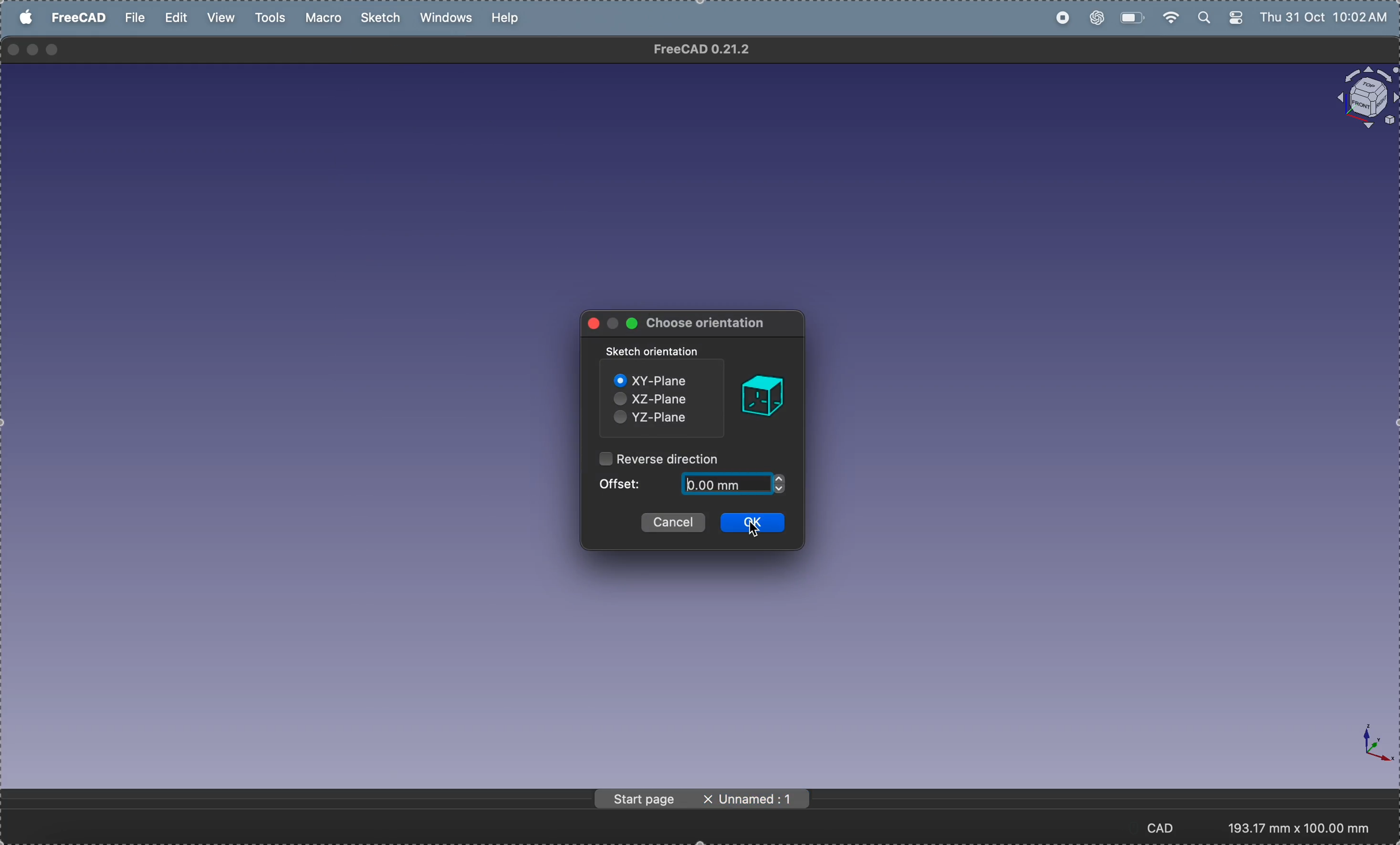  I want to click on cancel, so click(673, 522).